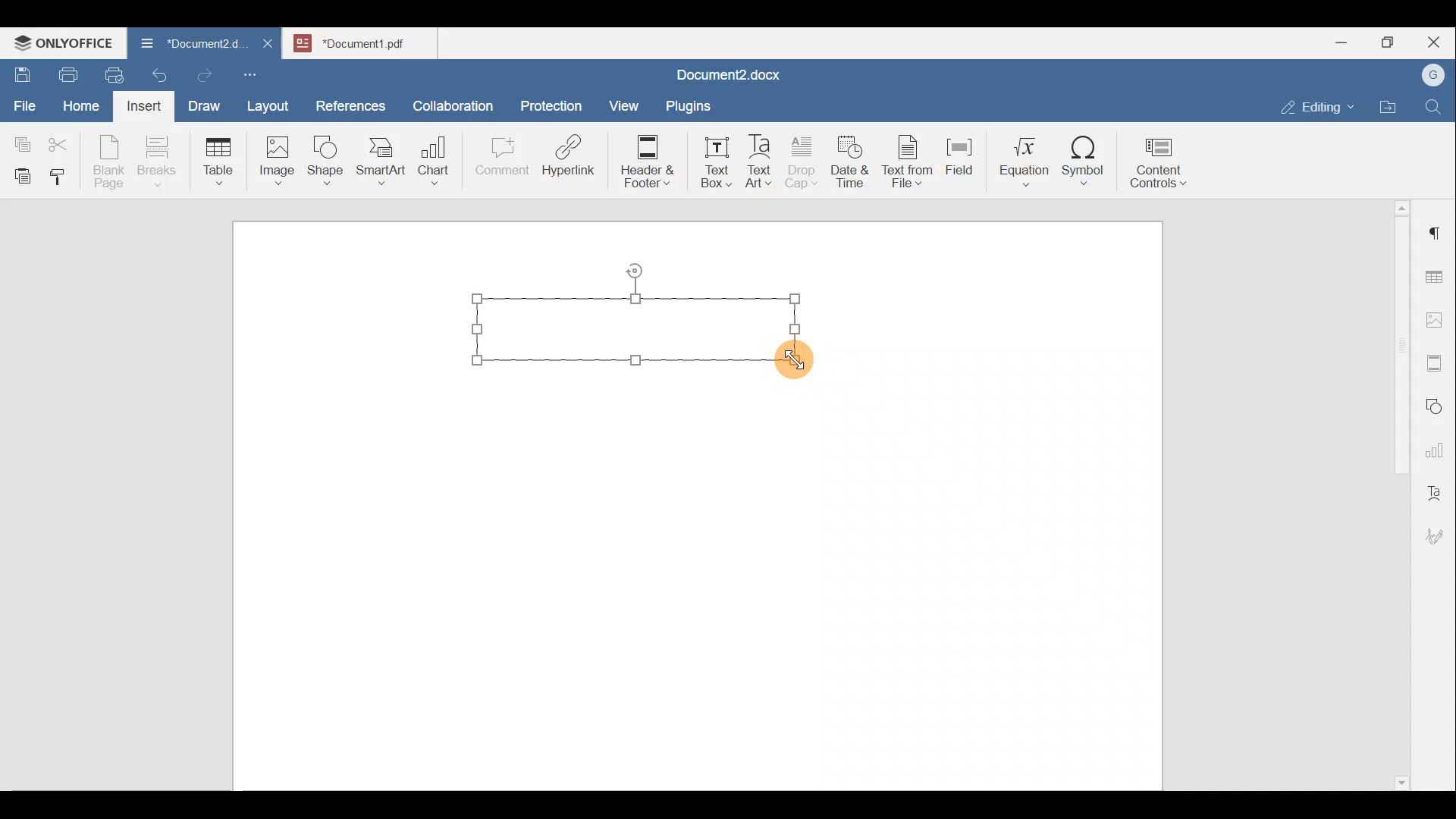  Describe the element at coordinates (369, 41) in the screenshot. I see `Document name` at that location.